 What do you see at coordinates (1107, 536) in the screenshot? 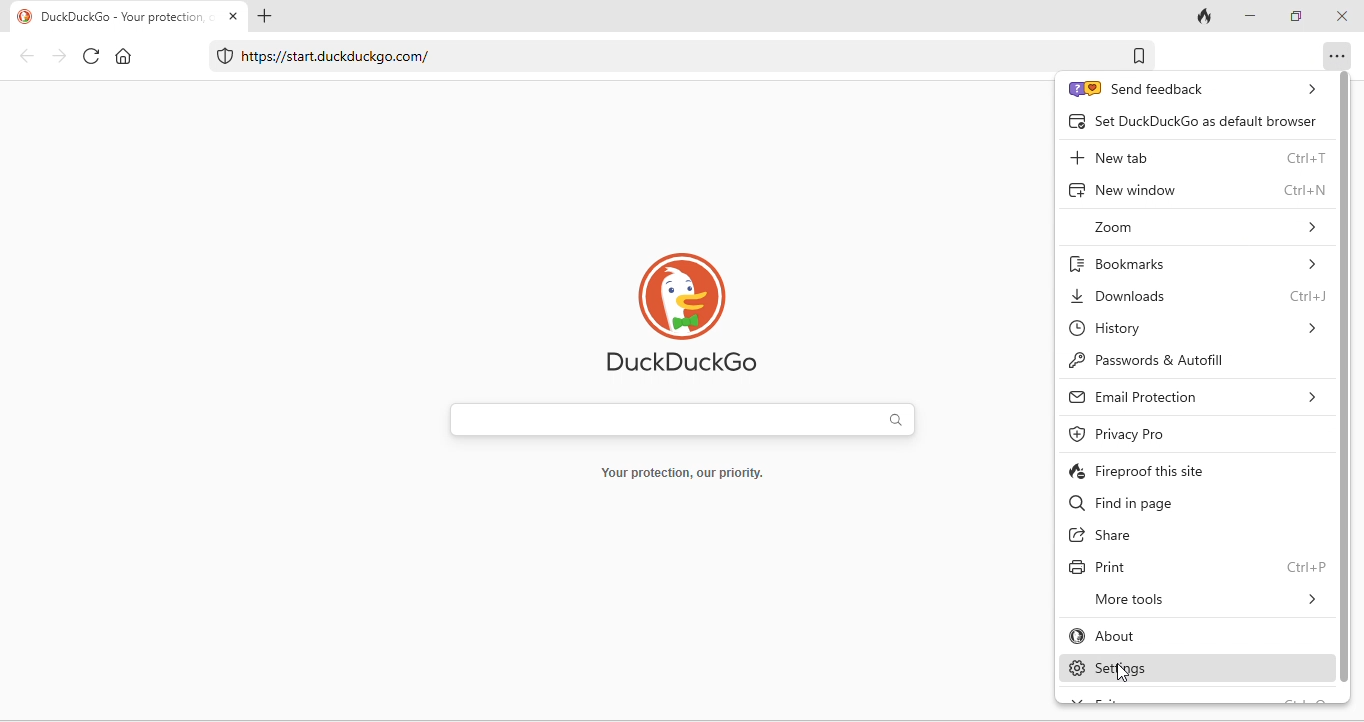
I see `share` at bounding box center [1107, 536].